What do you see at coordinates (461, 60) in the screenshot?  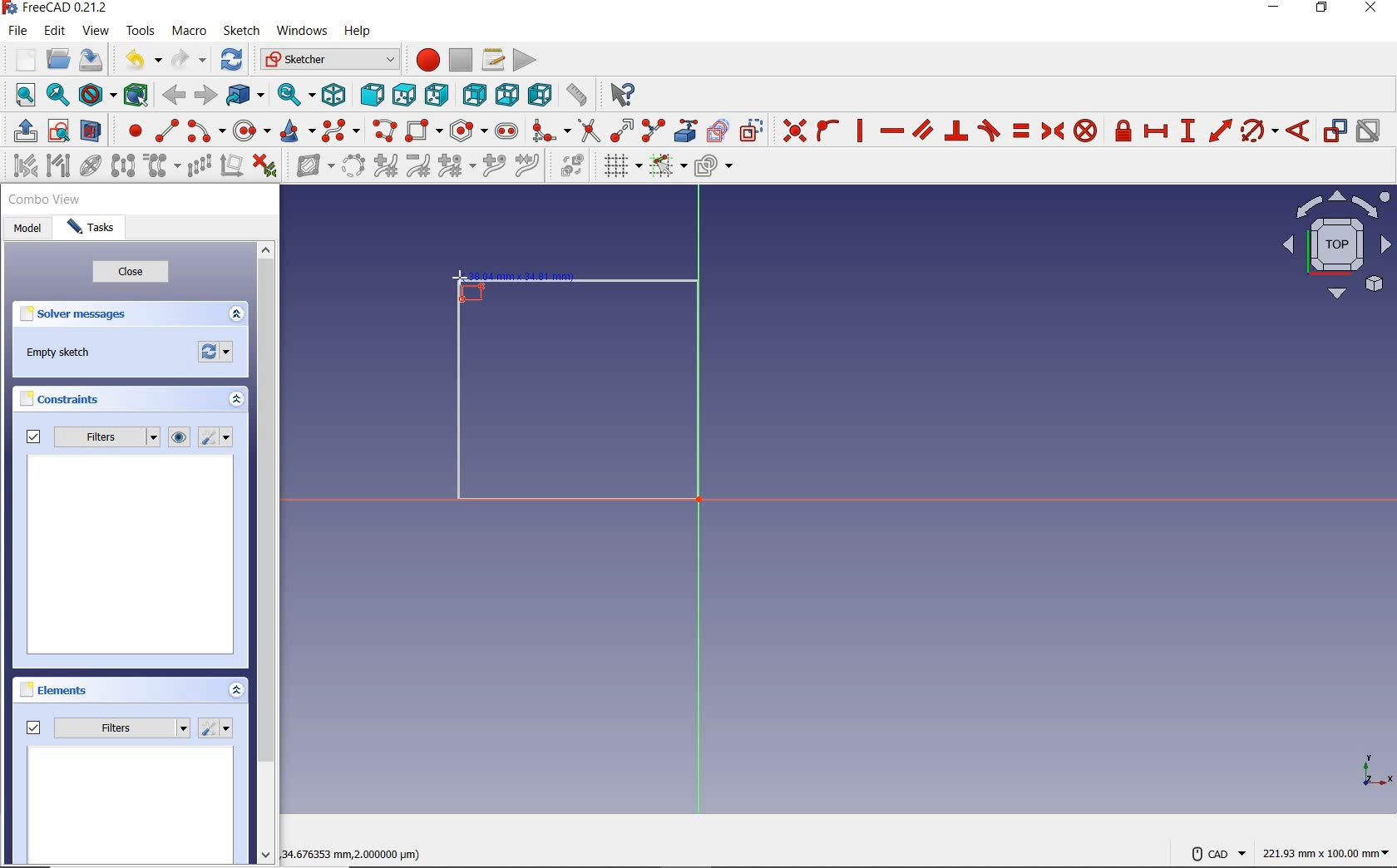 I see `stop macro recording` at bounding box center [461, 60].